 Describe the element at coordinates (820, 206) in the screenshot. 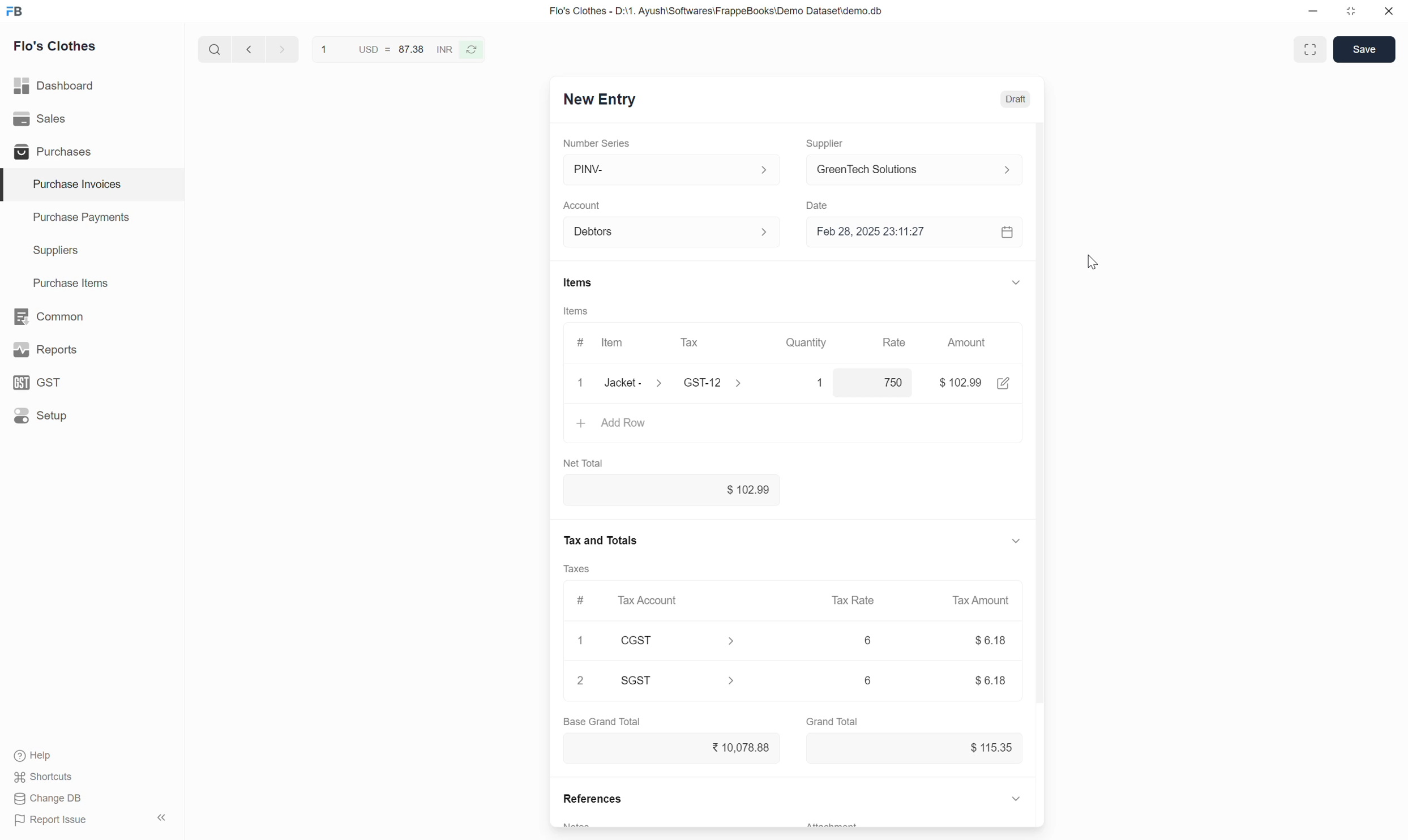

I see `Date` at that location.